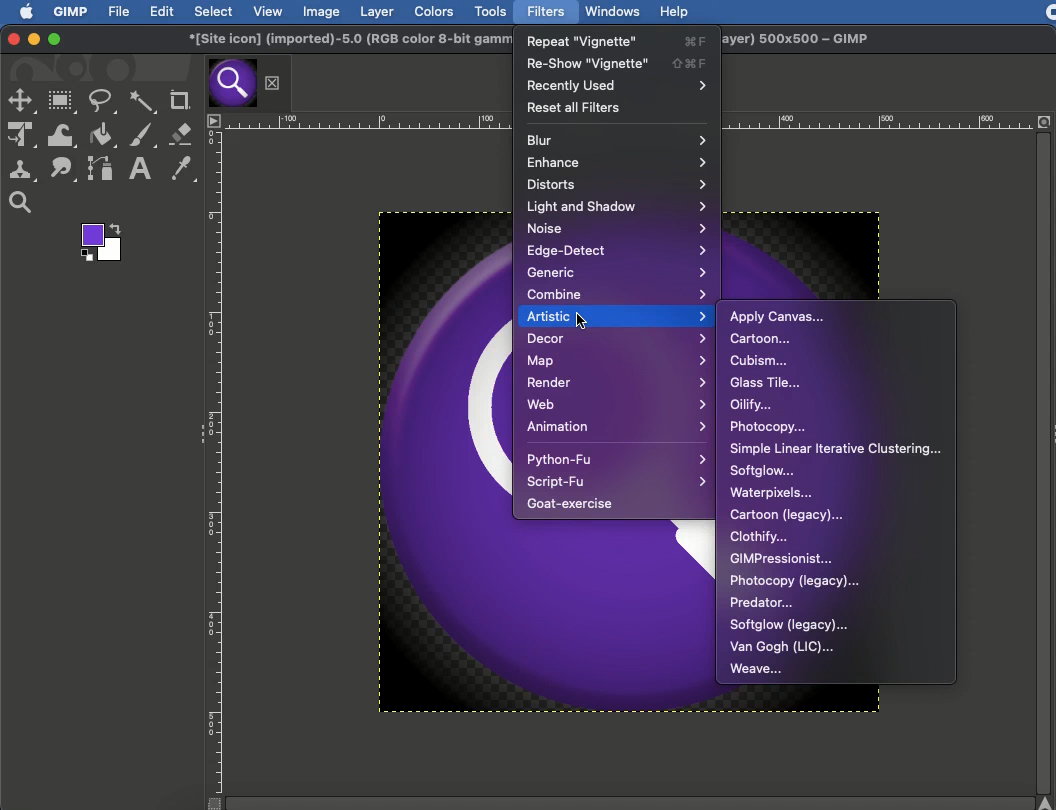 The height and width of the screenshot is (810, 1056). What do you see at coordinates (215, 121) in the screenshot?
I see `Menu` at bounding box center [215, 121].